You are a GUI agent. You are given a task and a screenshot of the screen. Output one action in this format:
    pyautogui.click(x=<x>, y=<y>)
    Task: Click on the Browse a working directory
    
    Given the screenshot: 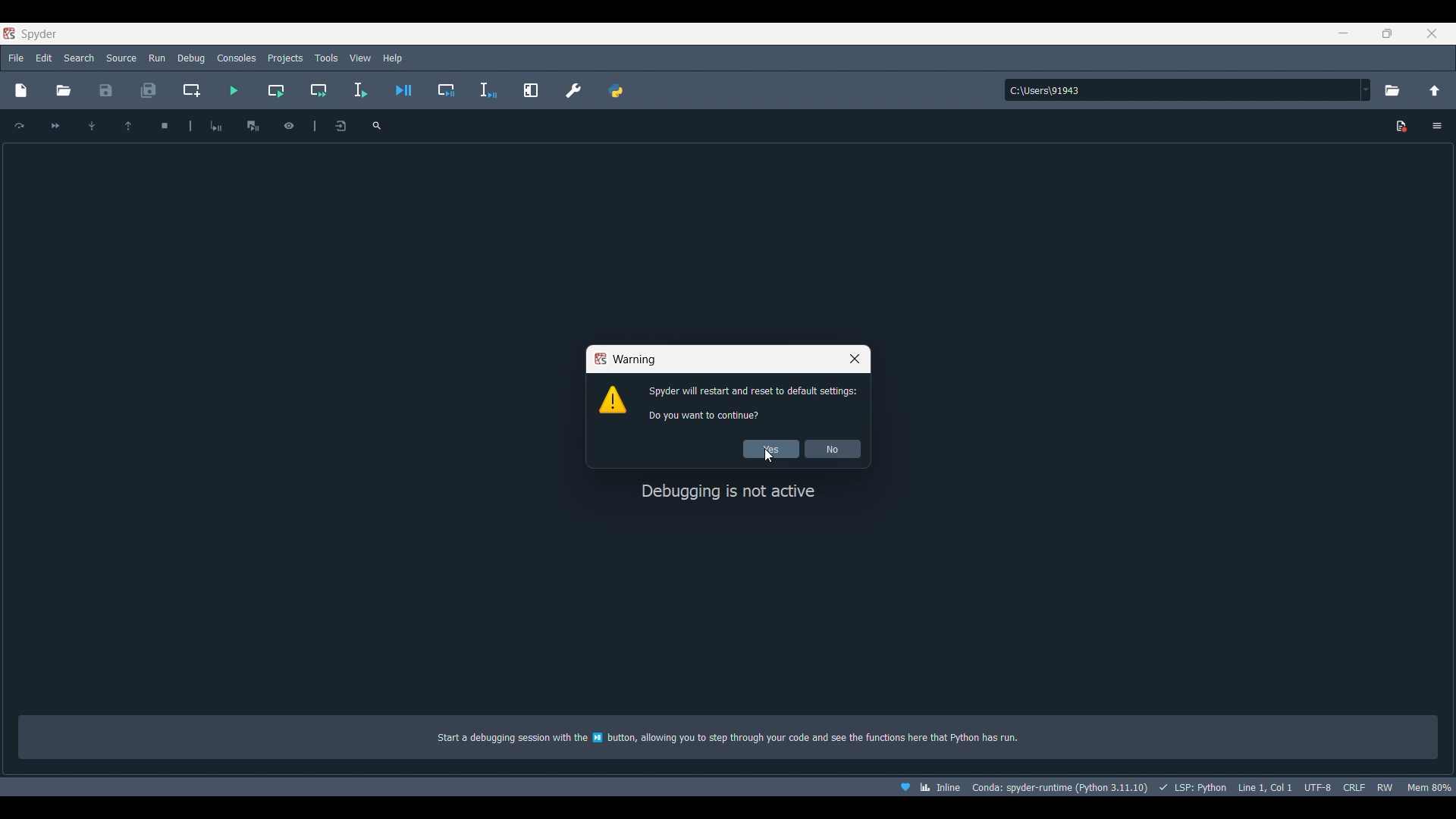 What is the action you would take?
    pyautogui.click(x=1392, y=90)
    